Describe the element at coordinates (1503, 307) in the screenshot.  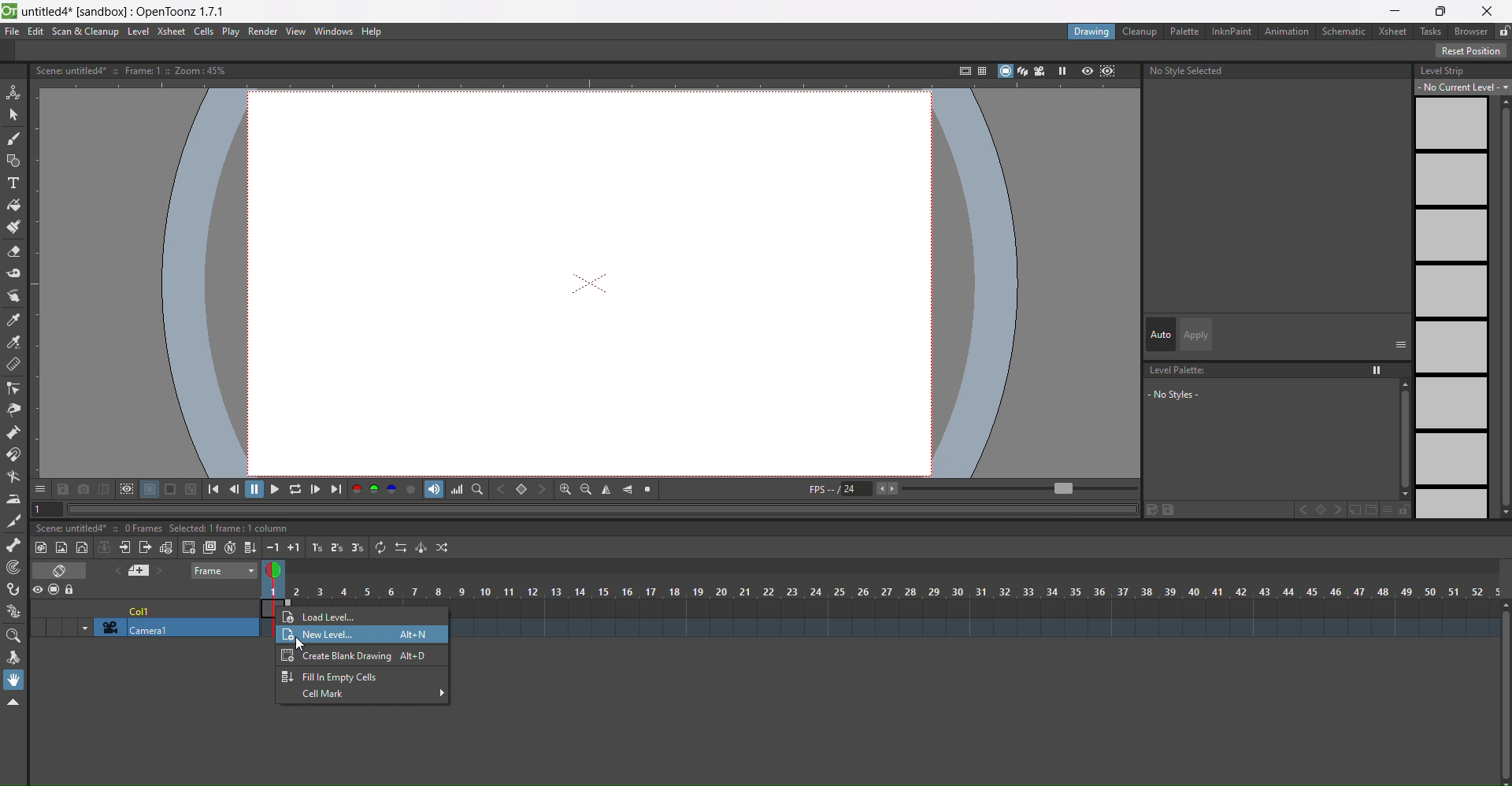
I see `Scroll bar` at that location.